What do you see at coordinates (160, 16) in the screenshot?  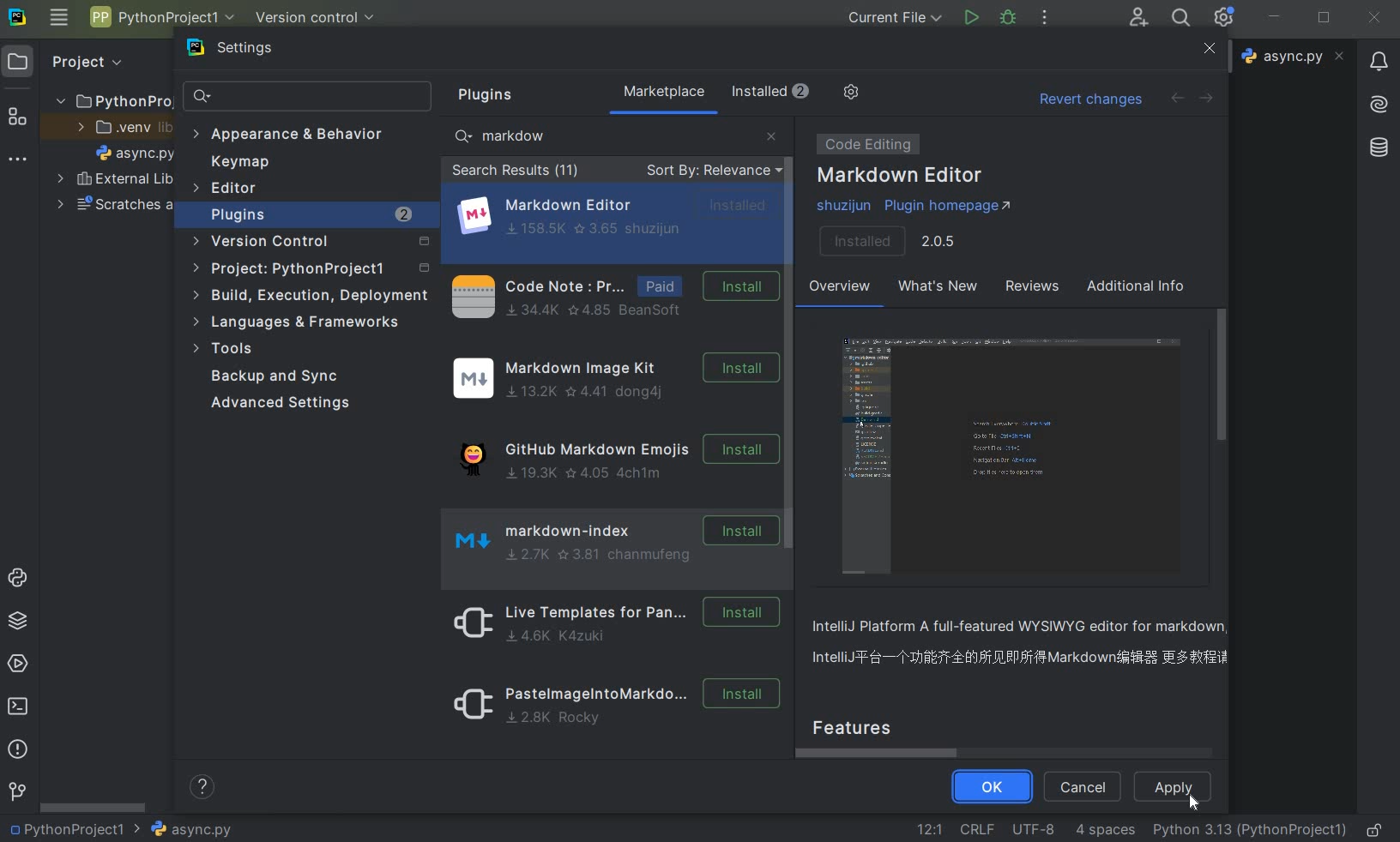 I see `project name` at bounding box center [160, 16].